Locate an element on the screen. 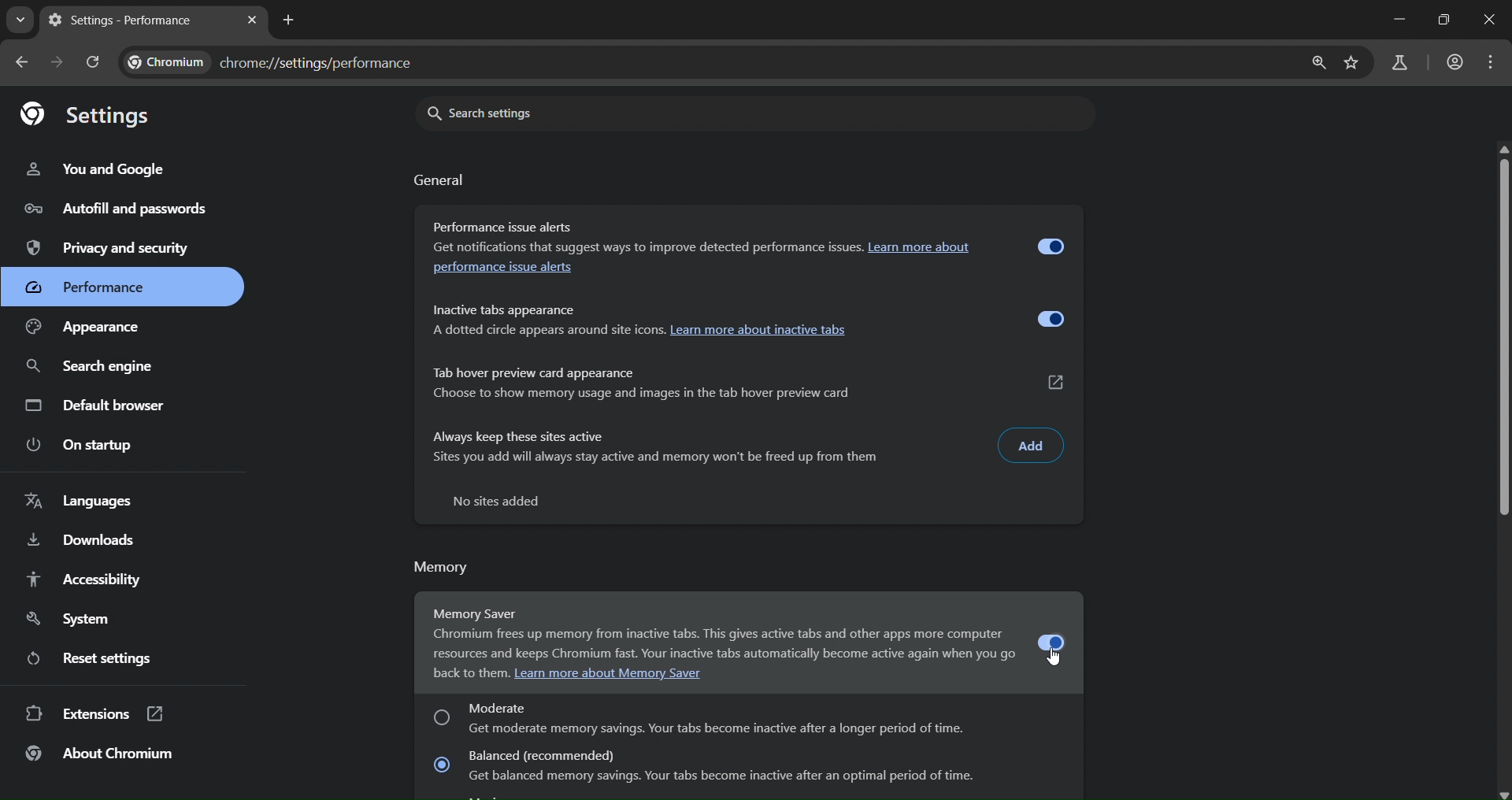 The image size is (1512, 800). link is located at coordinates (1058, 383).